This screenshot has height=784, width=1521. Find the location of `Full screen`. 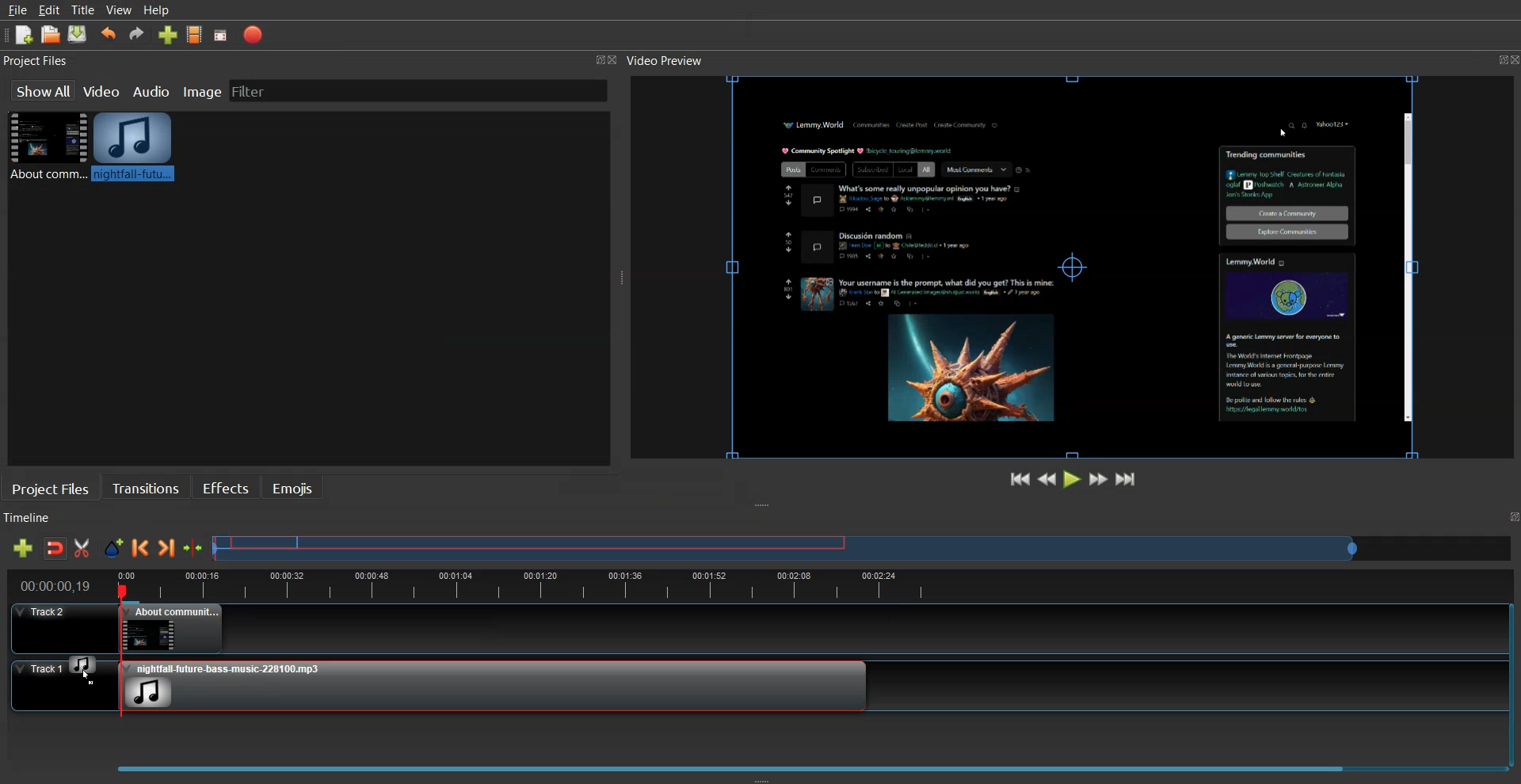

Full screen is located at coordinates (221, 36).